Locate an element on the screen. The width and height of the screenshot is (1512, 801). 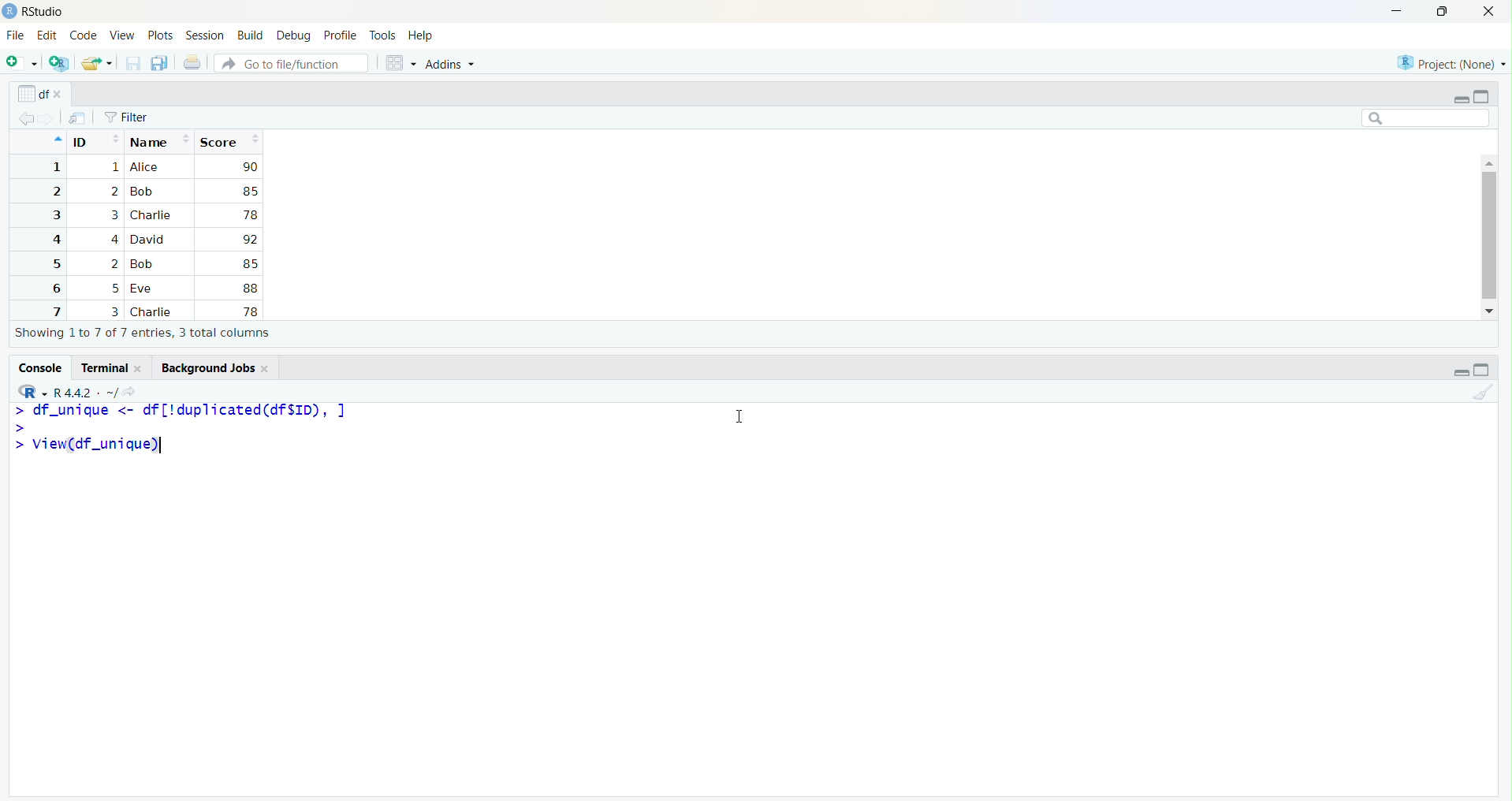
Tools is located at coordinates (383, 36).